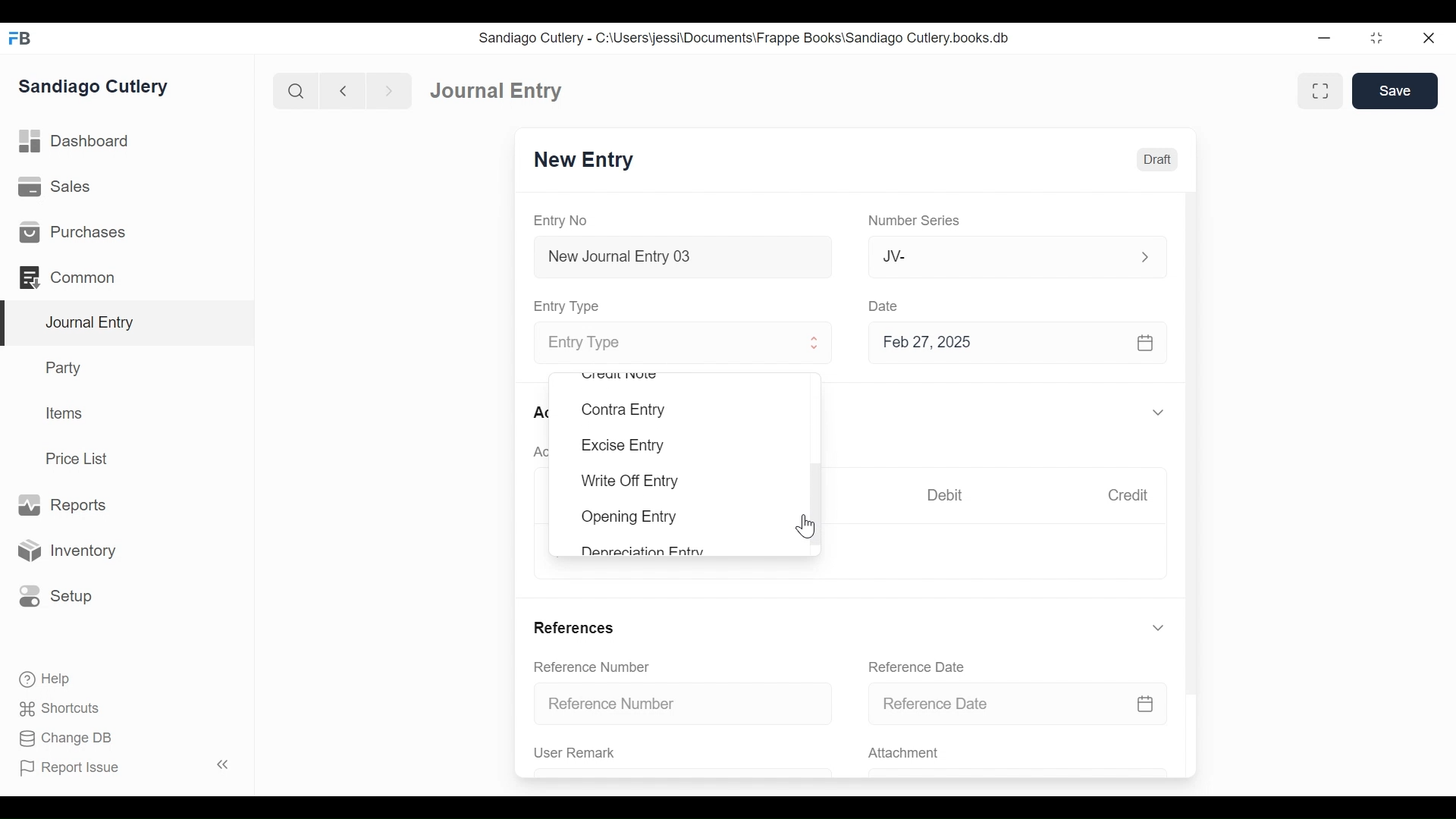 This screenshot has height=819, width=1456. Describe the element at coordinates (1160, 628) in the screenshot. I see `Expand` at that location.